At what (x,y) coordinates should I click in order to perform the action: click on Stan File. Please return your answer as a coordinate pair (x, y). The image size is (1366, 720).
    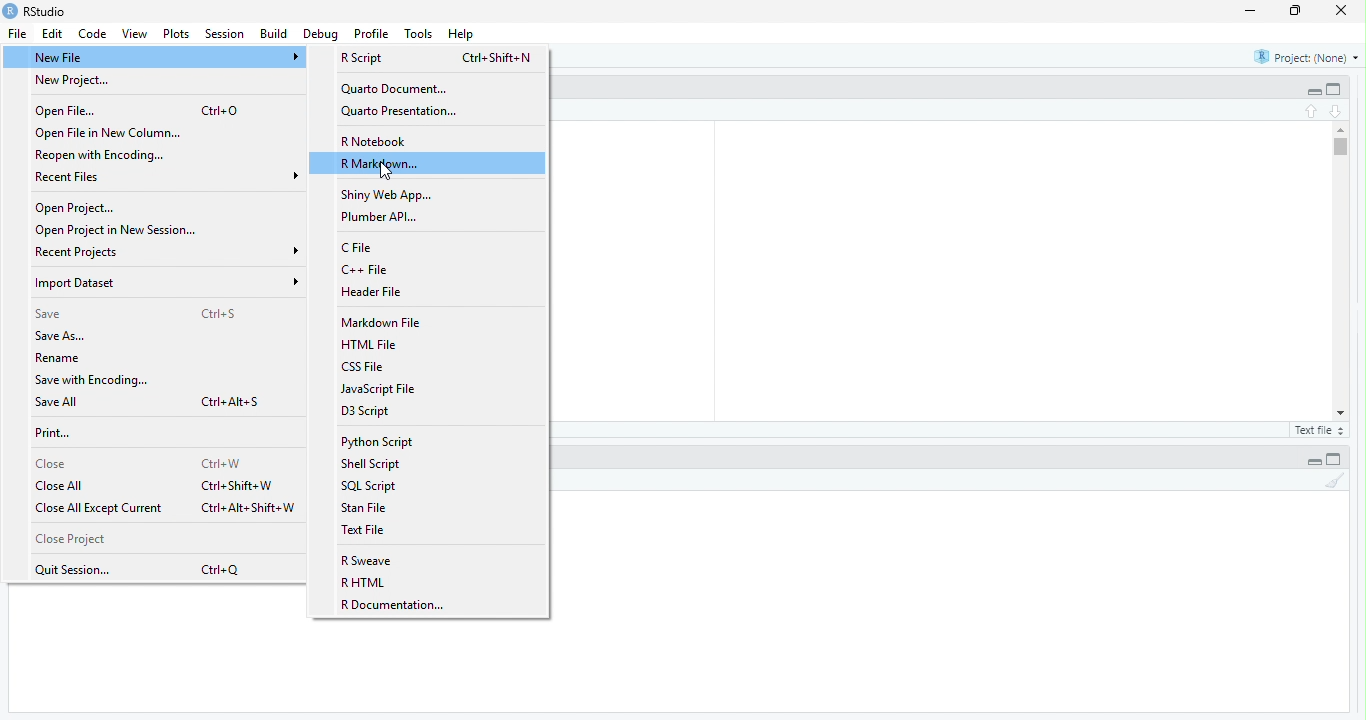
    Looking at the image, I should click on (365, 508).